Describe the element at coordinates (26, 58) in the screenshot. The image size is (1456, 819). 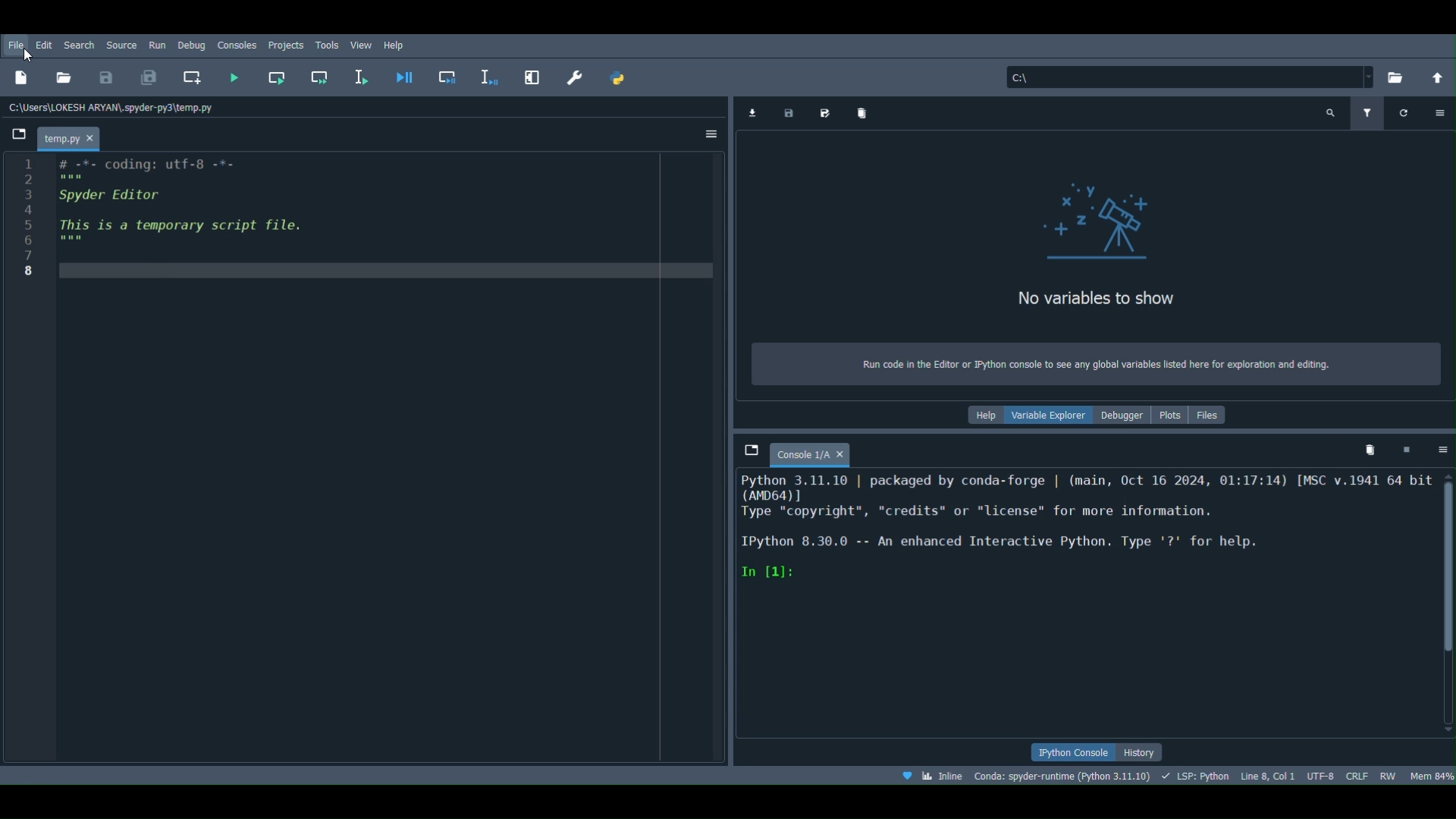
I see `Cursor` at that location.